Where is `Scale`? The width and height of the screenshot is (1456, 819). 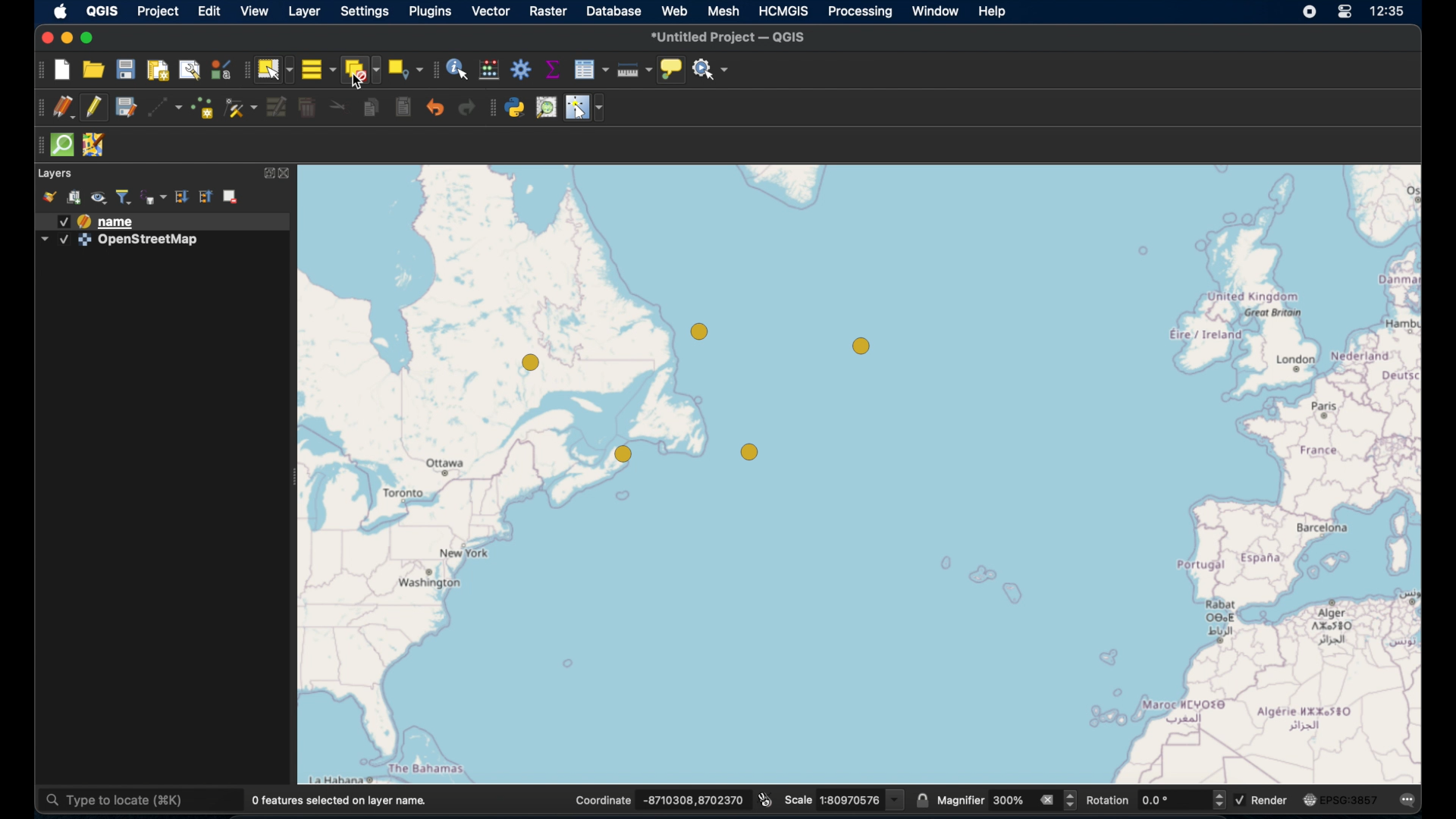 Scale is located at coordinates (799, 801).